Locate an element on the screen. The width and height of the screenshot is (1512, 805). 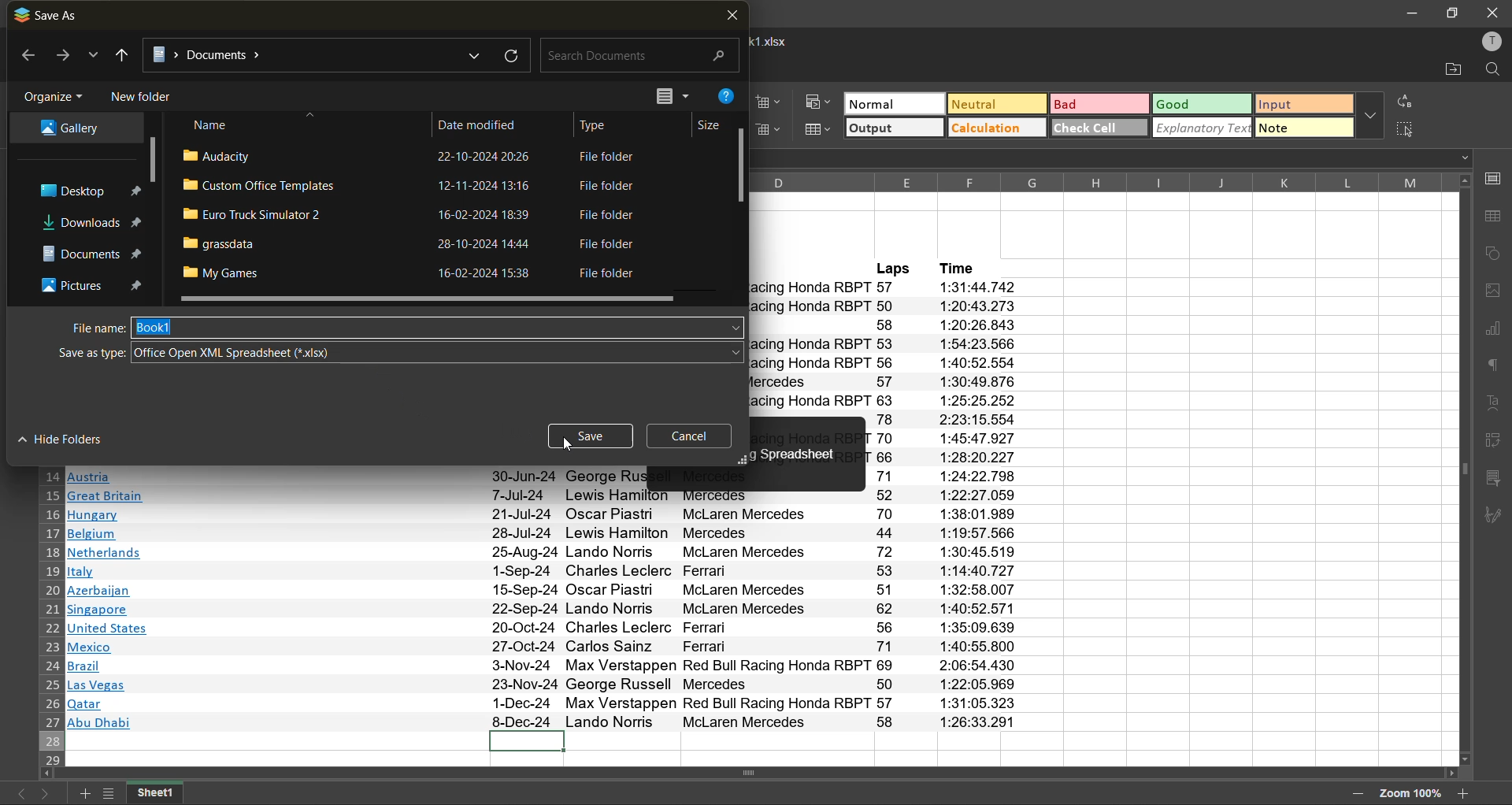
note is located at coordinates (1304, 128).